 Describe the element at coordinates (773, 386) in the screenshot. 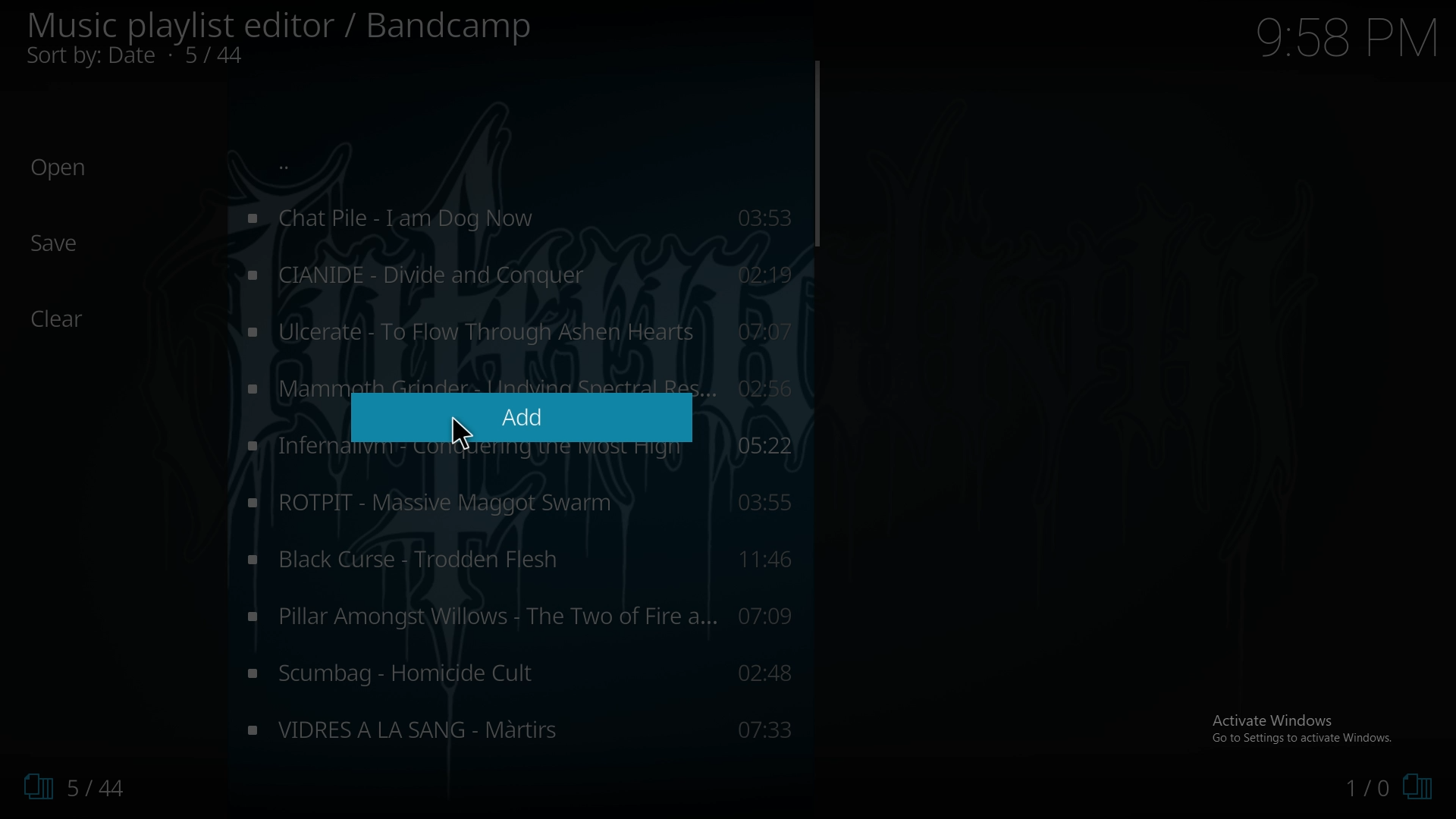

I see `02:56` at that location.